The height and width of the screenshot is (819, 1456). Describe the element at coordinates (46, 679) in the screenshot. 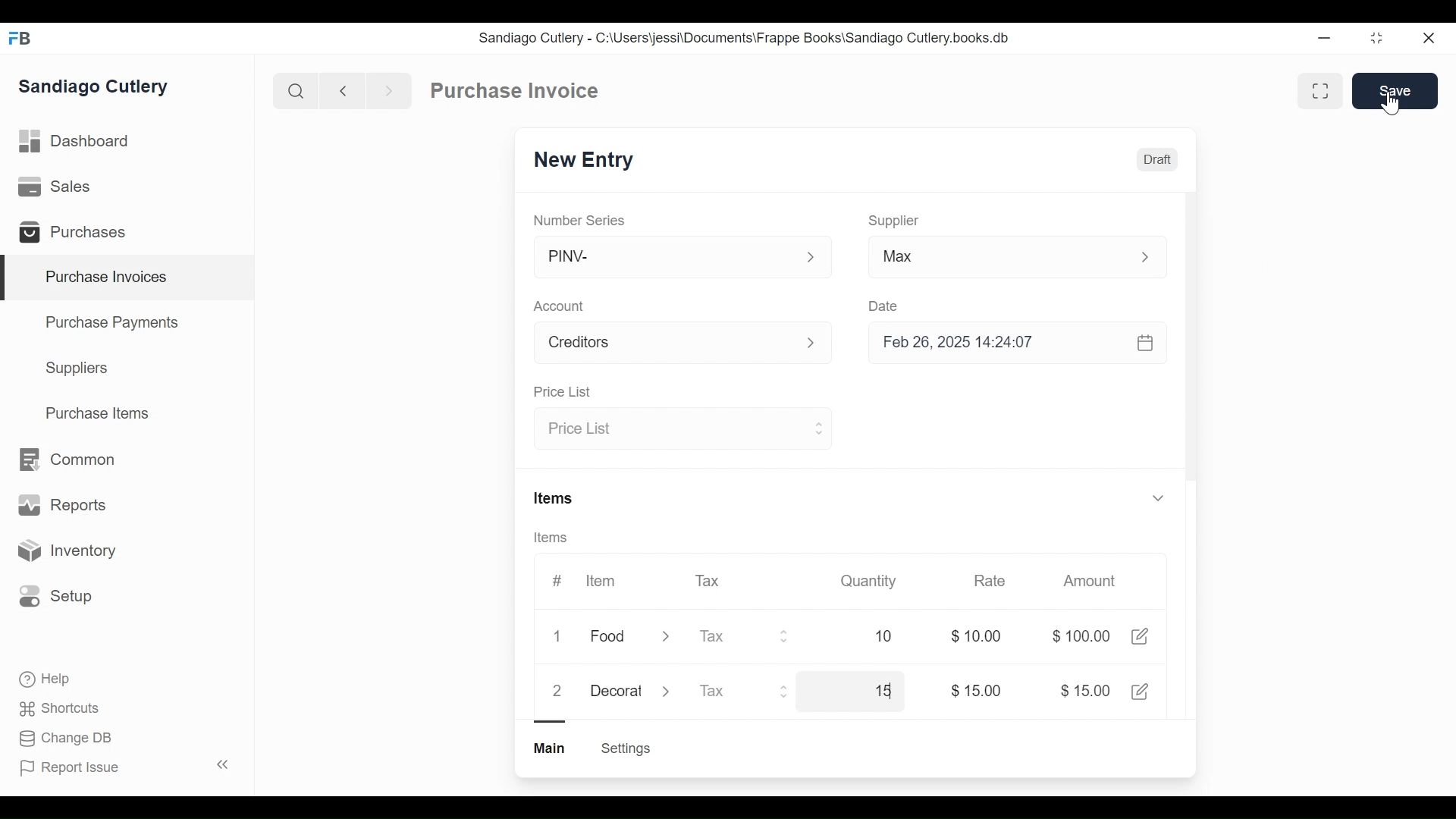

I see `Help` at that location.